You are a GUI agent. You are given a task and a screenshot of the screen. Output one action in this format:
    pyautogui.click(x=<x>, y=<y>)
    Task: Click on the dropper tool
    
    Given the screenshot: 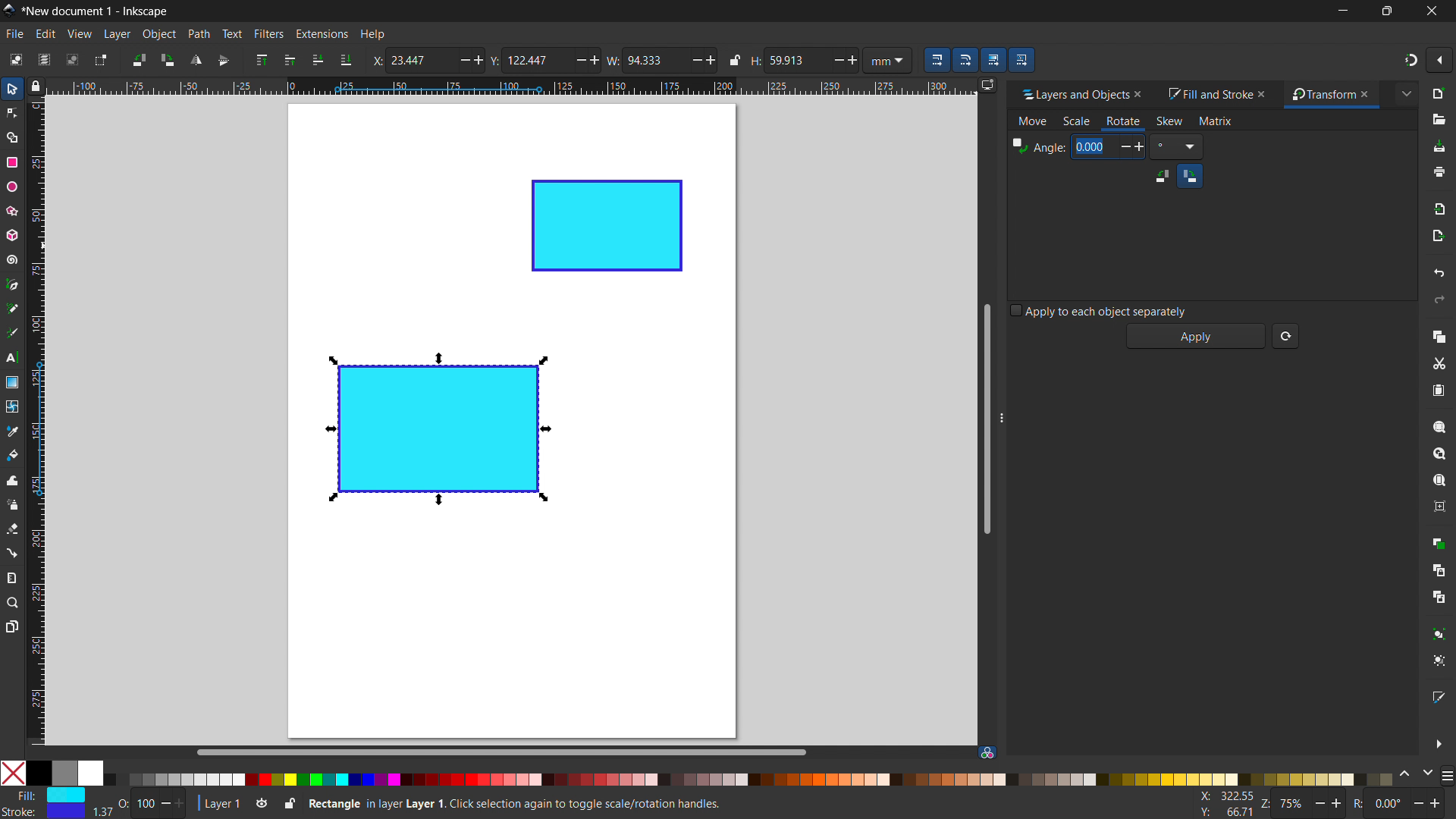 What is the action you would take?
    pyautogui.click(x=12, y=431)
    